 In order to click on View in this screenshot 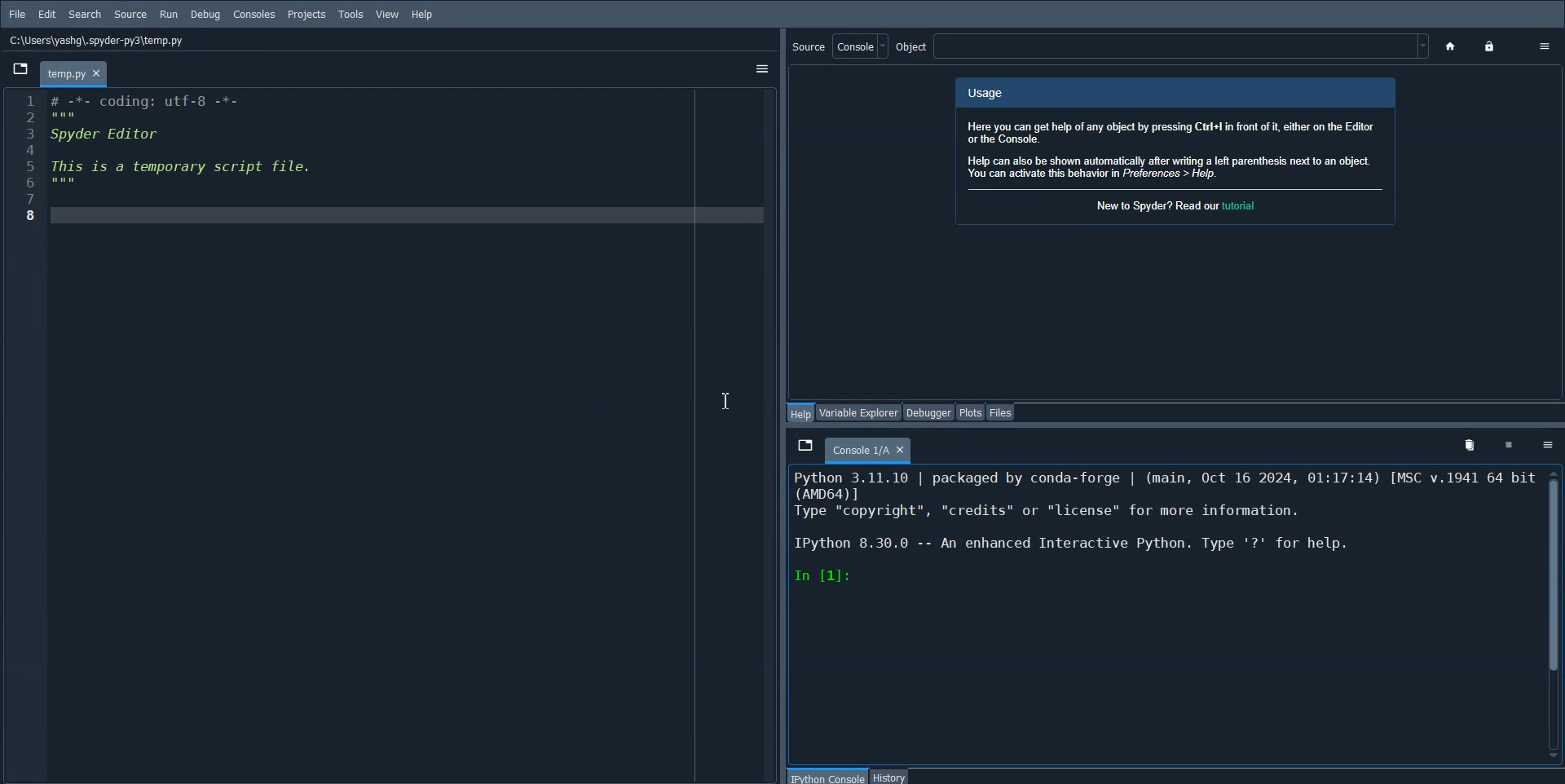, I will do `click(388, 15)`.